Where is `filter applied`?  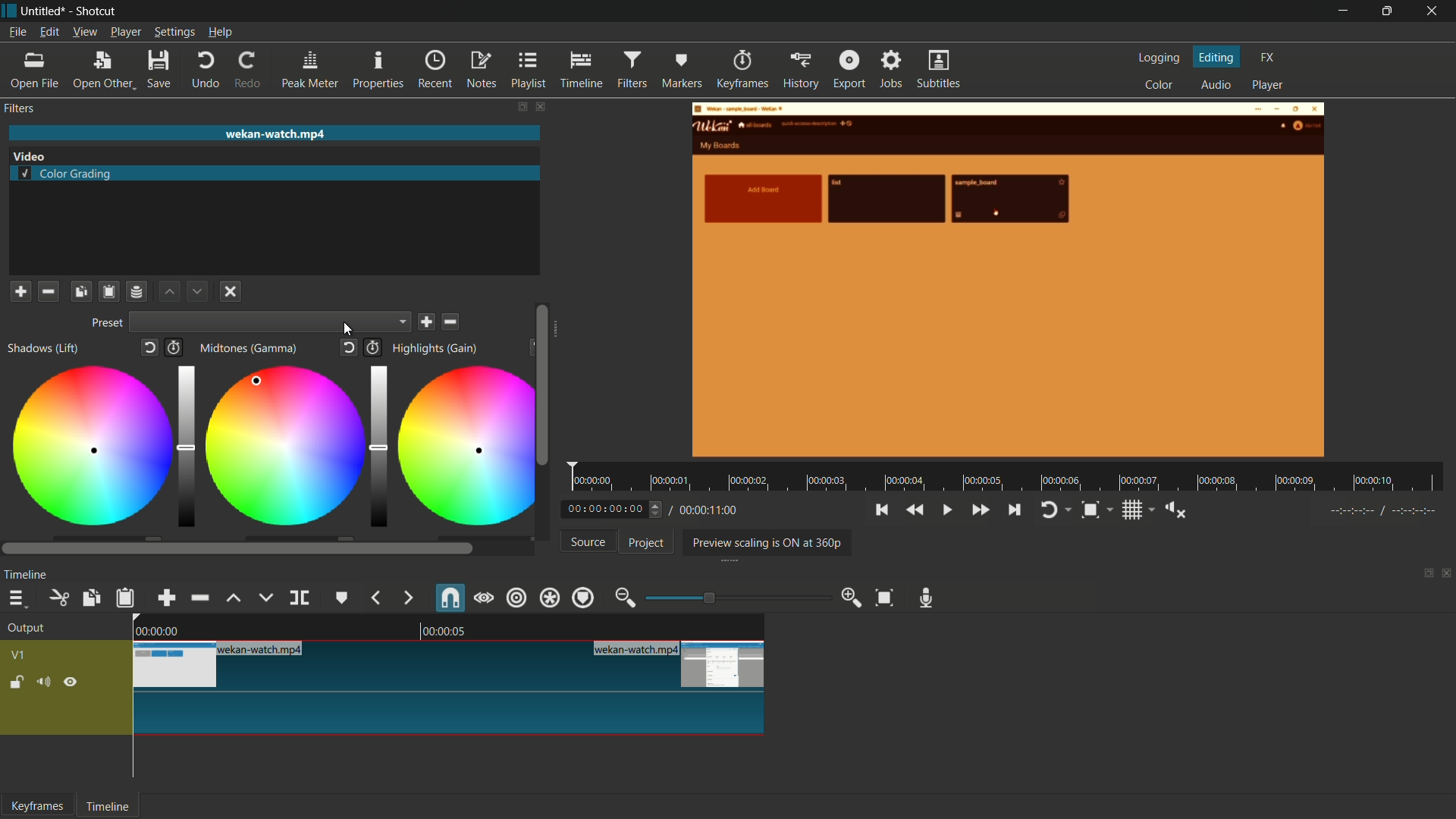 filter applied is located at coordinates (1009, 282).